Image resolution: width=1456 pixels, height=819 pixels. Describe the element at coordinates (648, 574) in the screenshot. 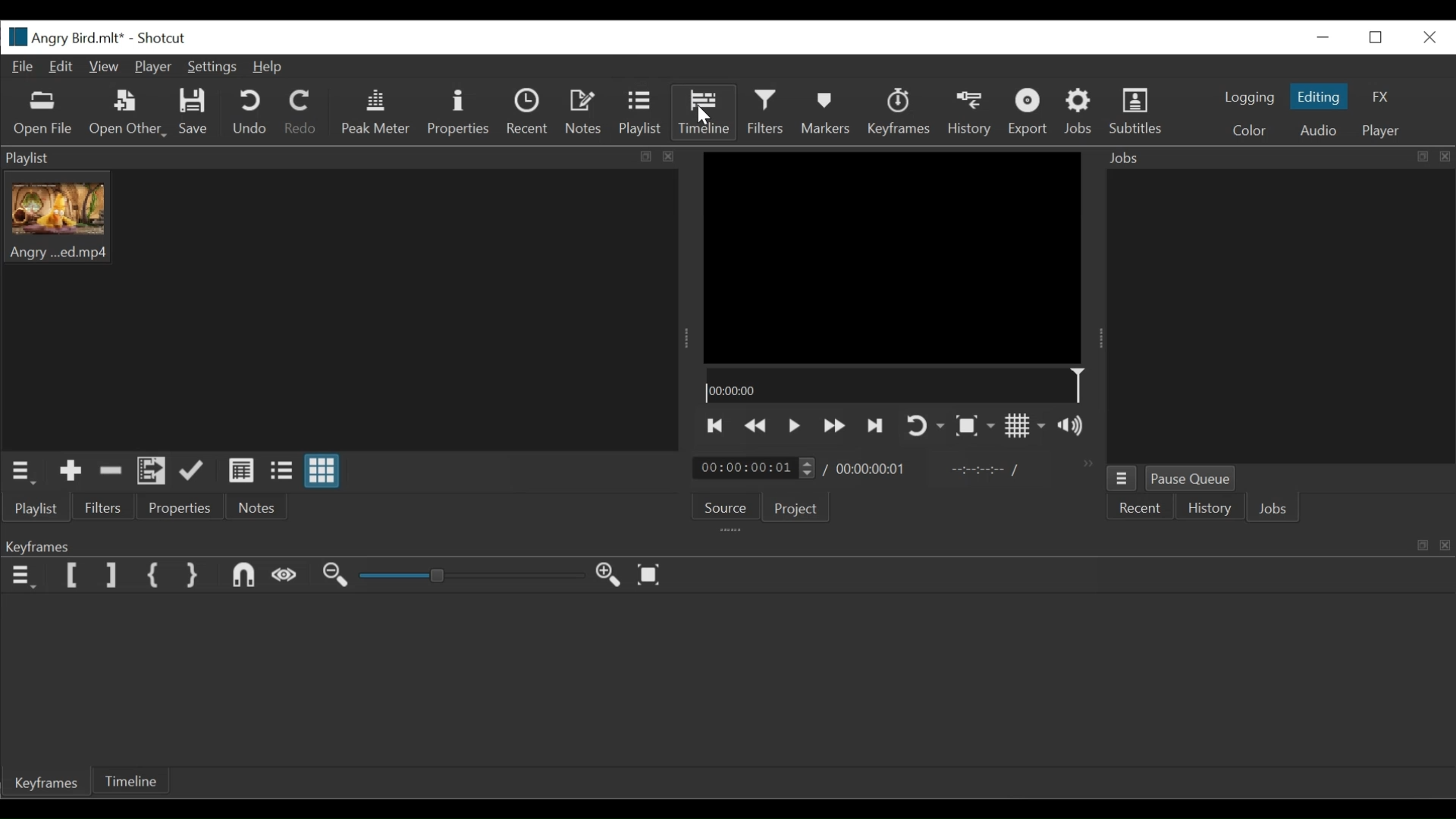

I see `Zoom keyframe to fit` at that location.